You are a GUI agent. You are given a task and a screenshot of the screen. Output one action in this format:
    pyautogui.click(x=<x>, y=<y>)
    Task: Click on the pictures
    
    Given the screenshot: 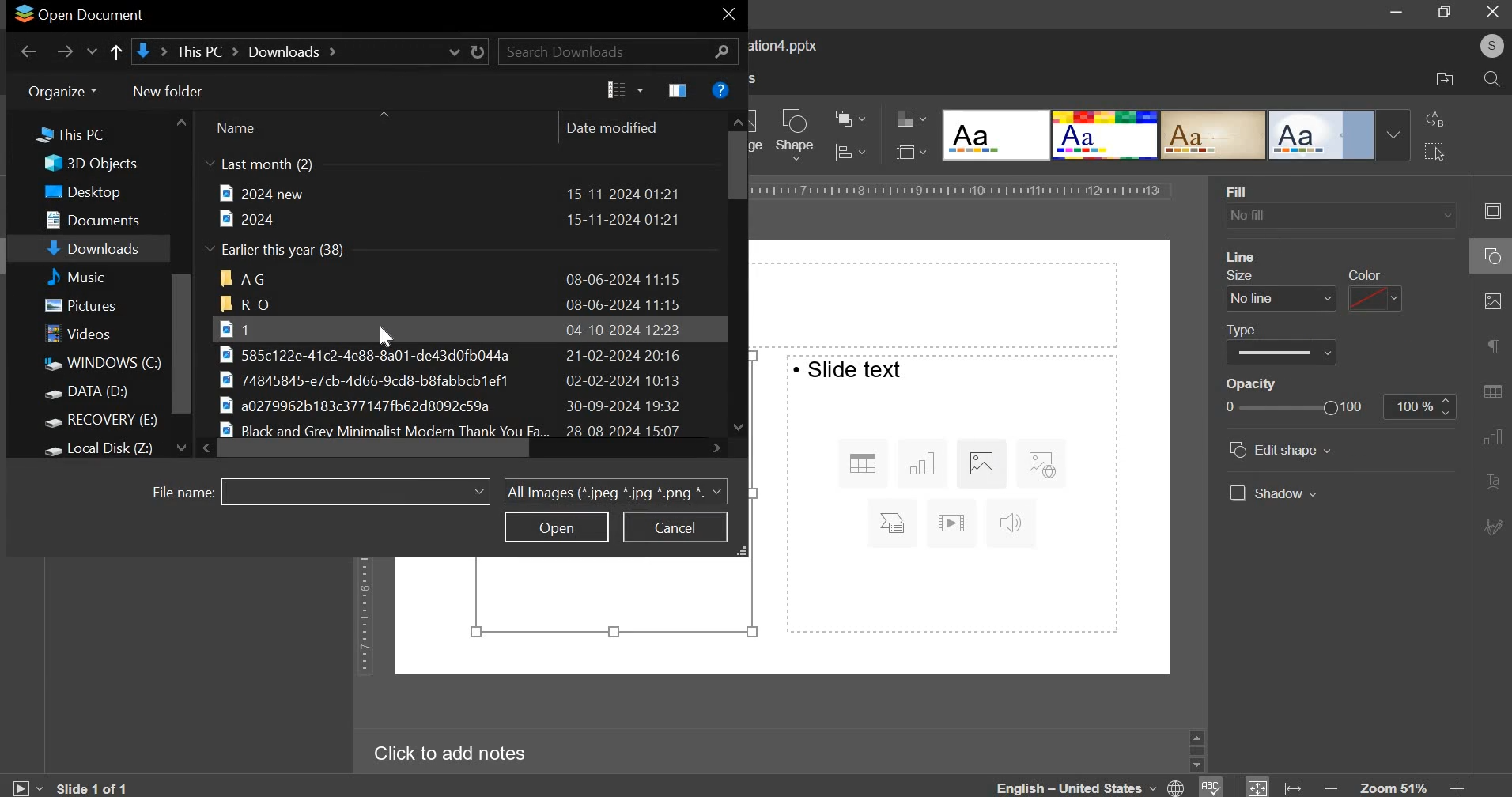 What is the action you would take?
    pyautogui.click(x=89, y=308)
    